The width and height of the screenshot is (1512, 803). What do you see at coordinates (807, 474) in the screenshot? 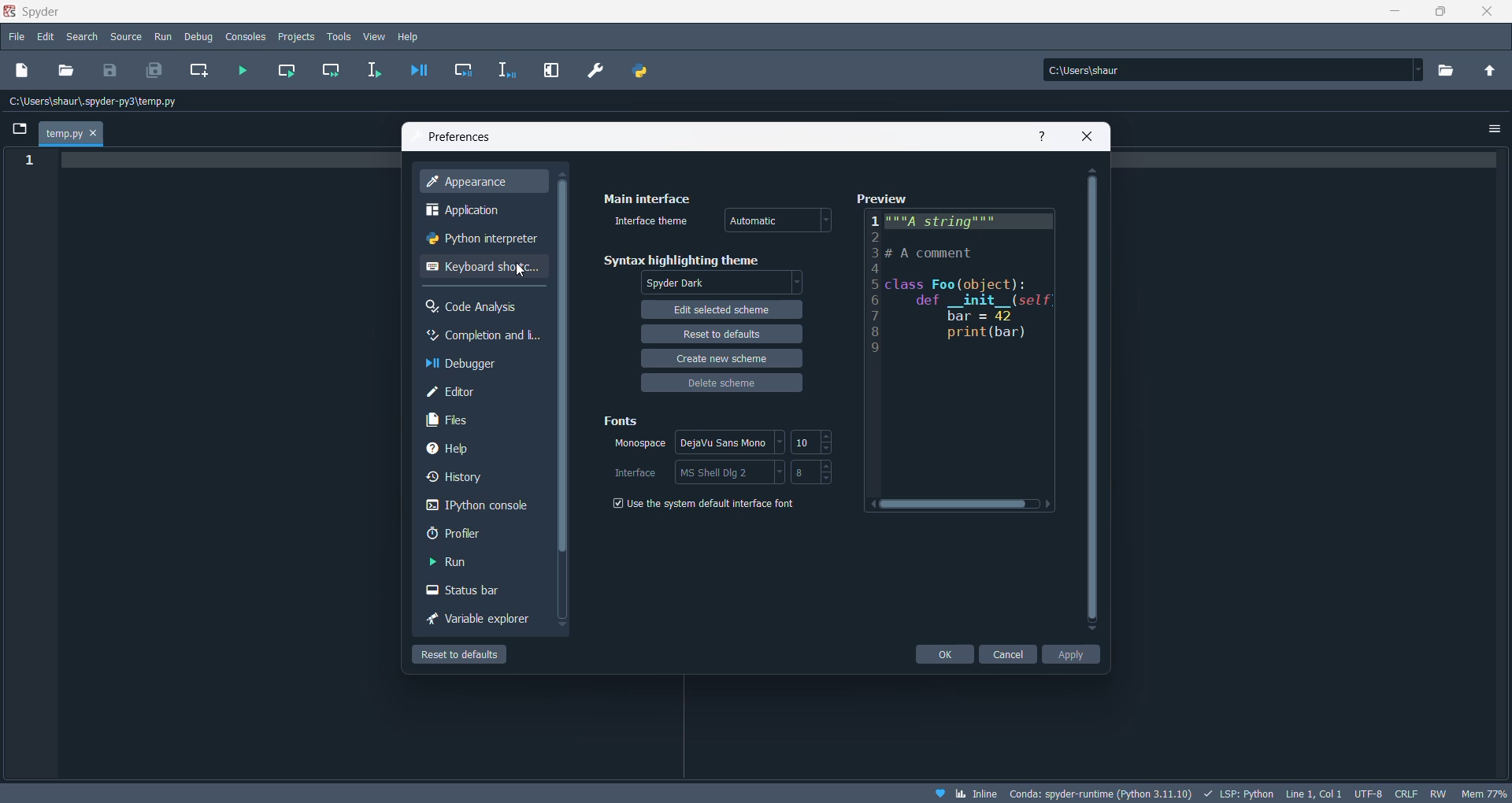
I see `fonts size` at bounding box center [807, 474].